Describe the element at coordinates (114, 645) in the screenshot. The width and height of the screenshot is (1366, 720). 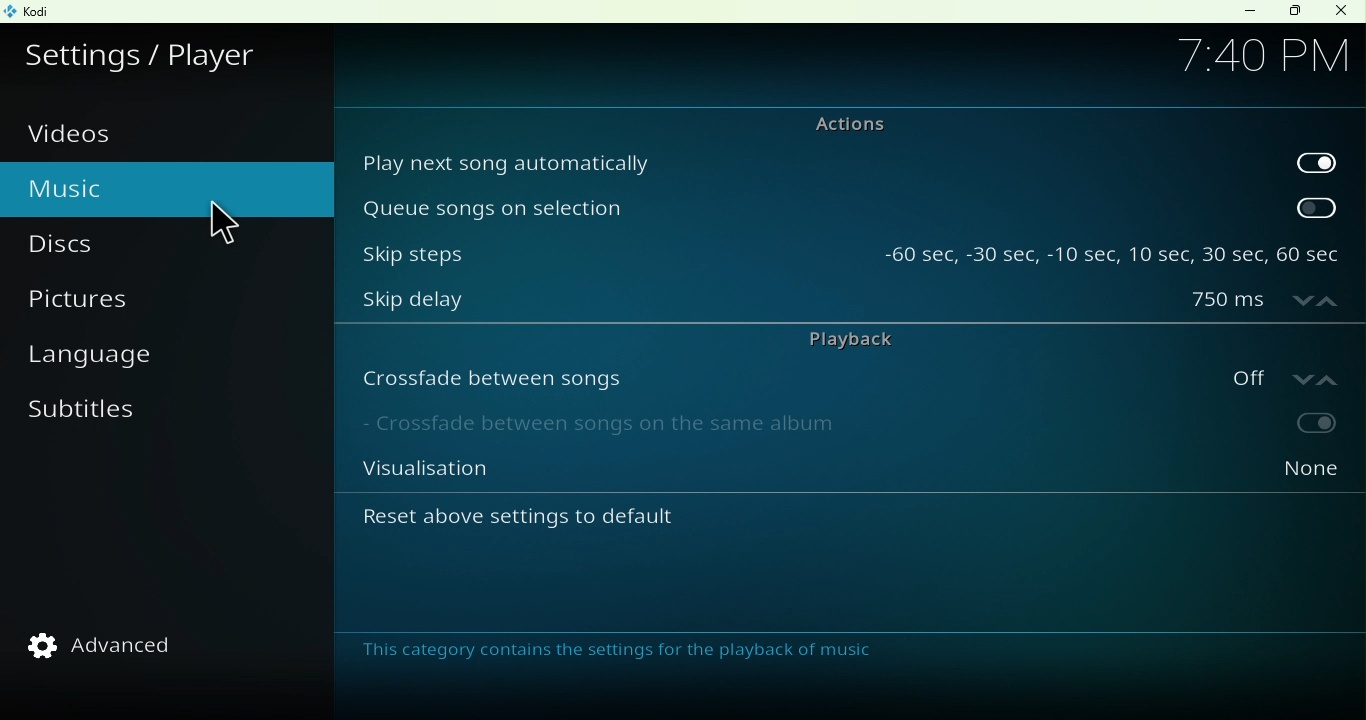
I see `Advanced` at that location.